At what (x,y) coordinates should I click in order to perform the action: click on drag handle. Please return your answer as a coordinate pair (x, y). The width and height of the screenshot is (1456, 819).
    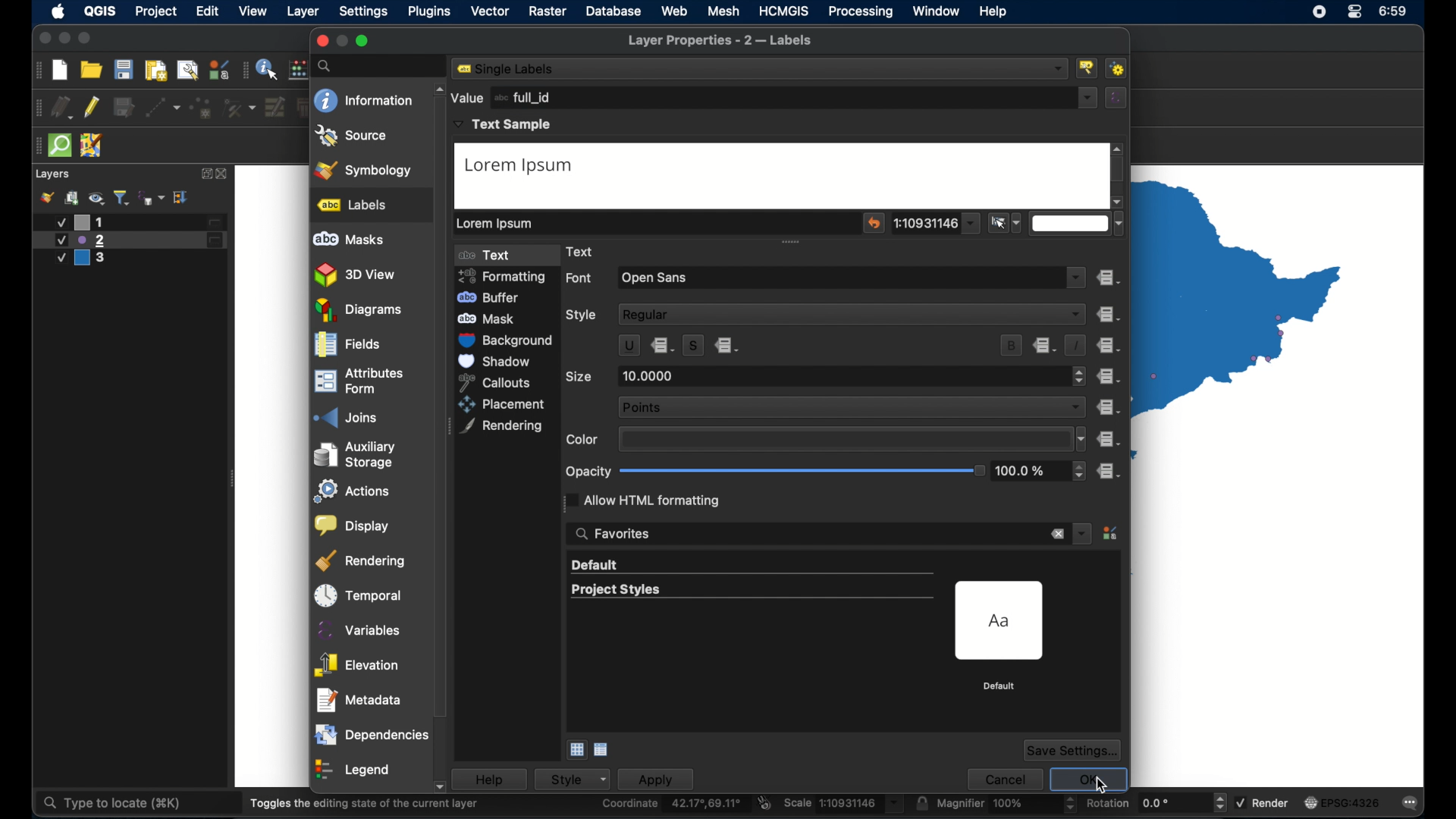
    Looking at the image, I should click on (36, 108).